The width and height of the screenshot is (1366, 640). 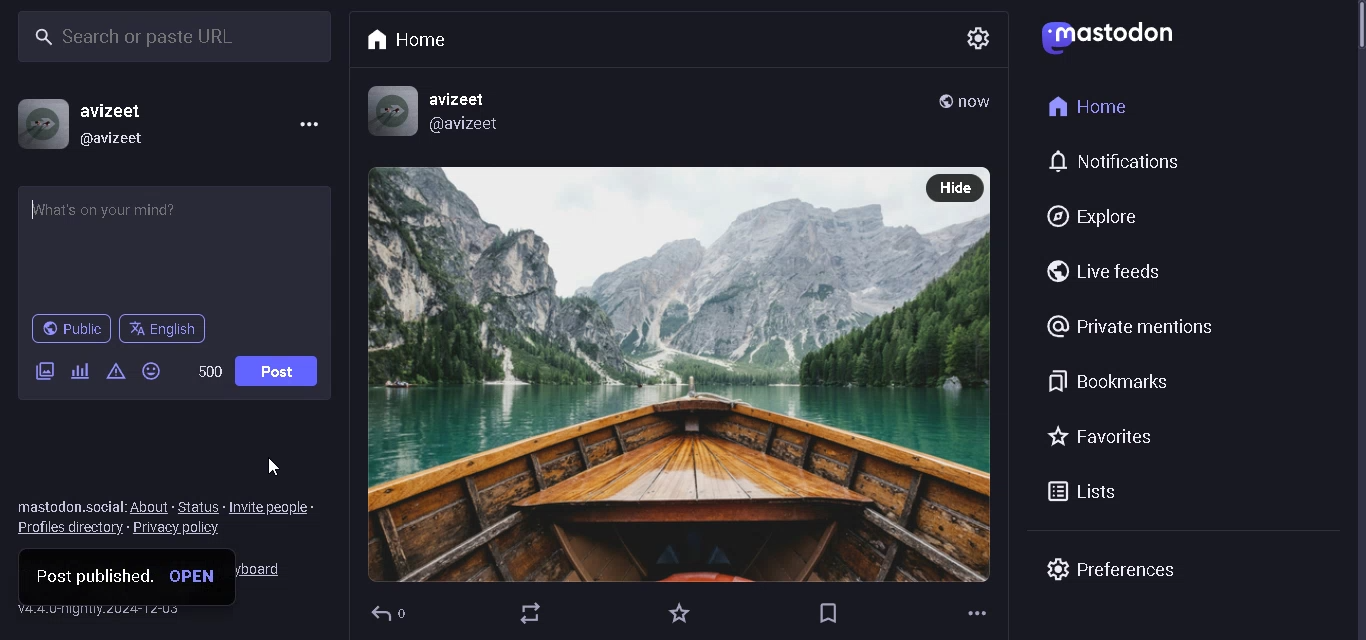 What do you see at coordinates (535, 617) in the screenshot?
I see `boost` at bounding box center [535, 617].